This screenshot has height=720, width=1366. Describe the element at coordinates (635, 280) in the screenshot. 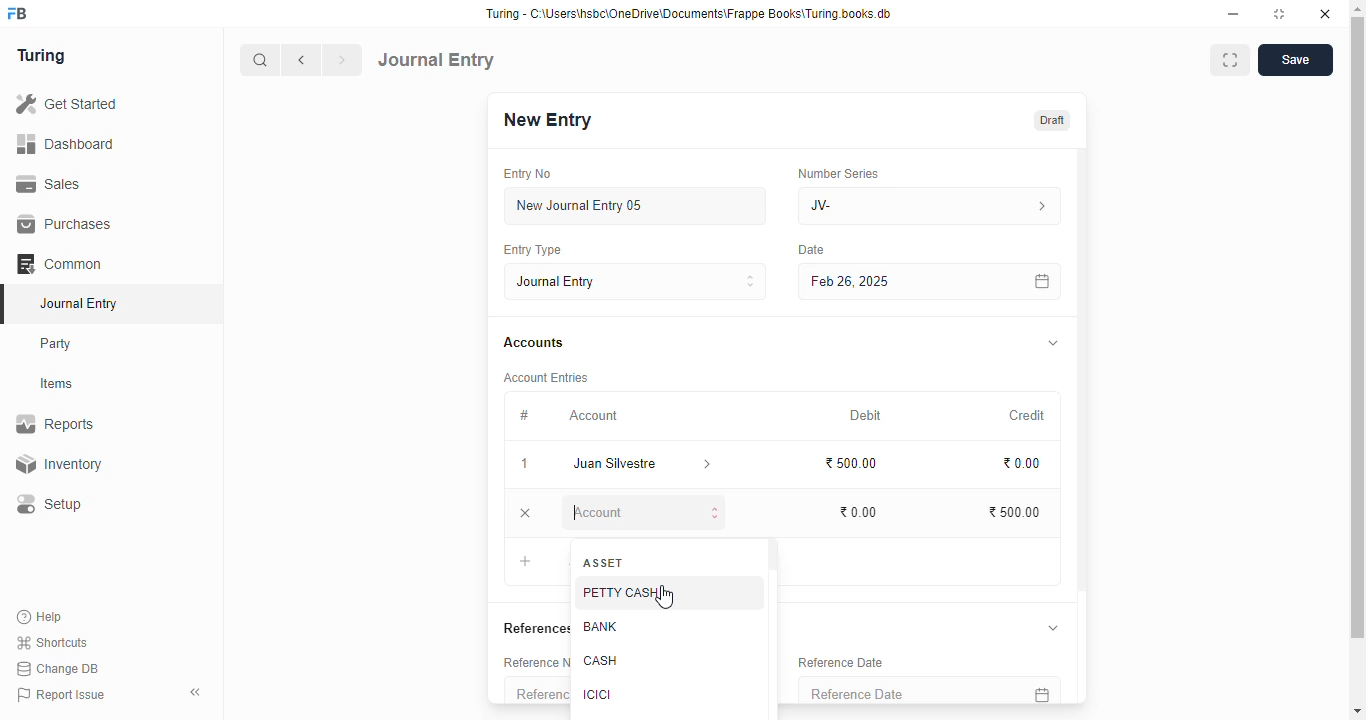

I see `journal entry` at that location.